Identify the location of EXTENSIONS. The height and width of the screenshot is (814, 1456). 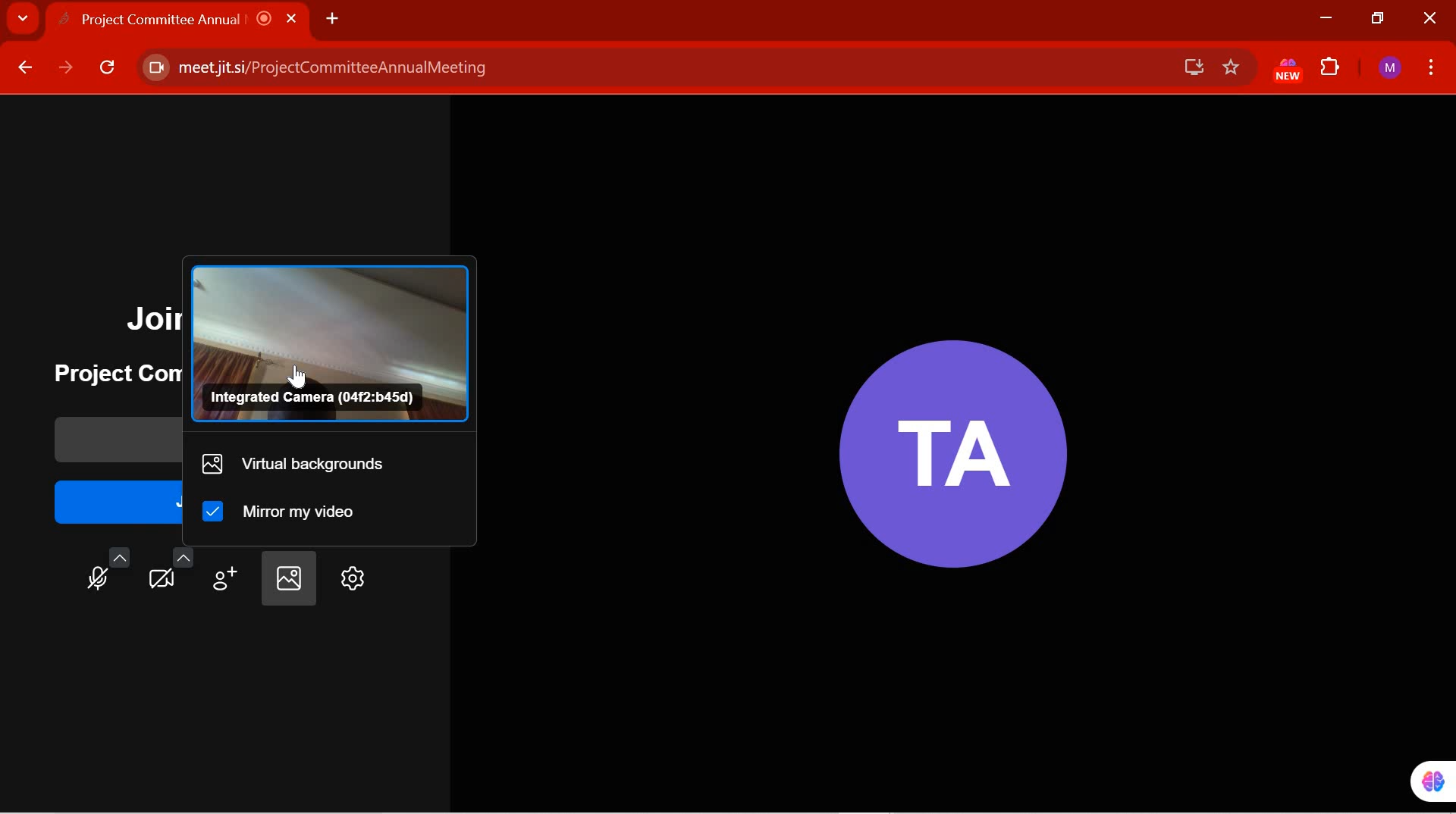
(1332, 69).